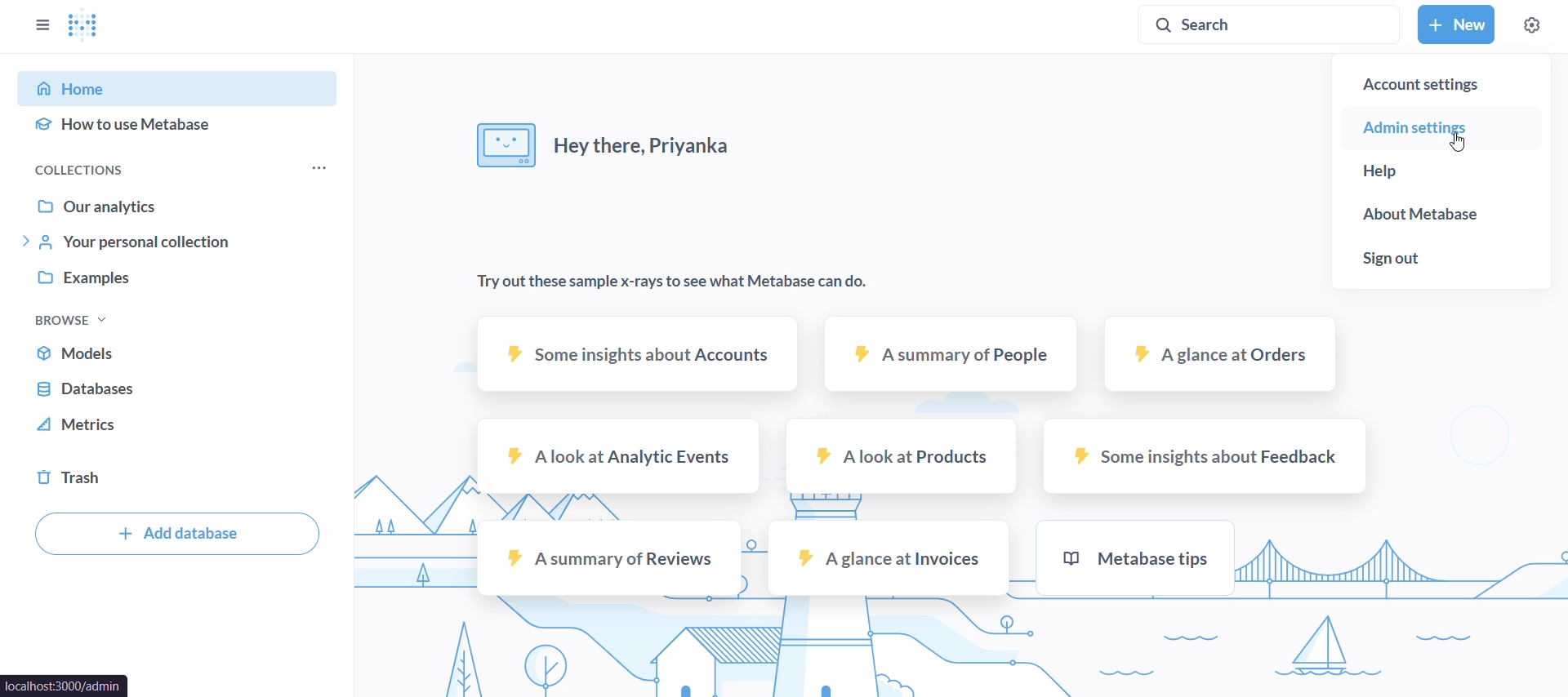  What do you see at coordinates (179, 243) in the screenshot?
I see `your personal collection` at bounding box center [179, 243].